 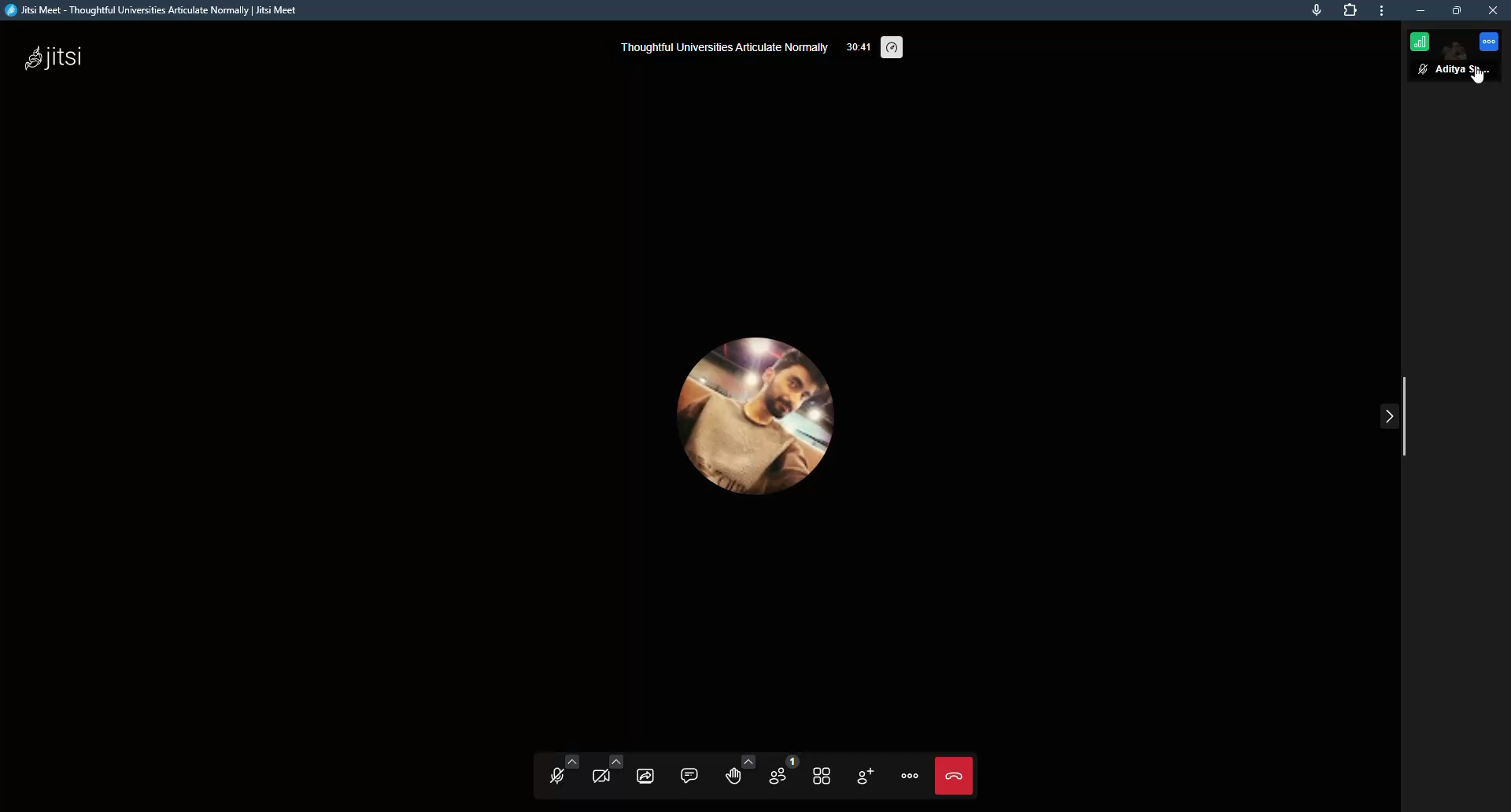 What do you see at coordinates (722, 48) in the screenshot?
I see `thoughtful universities articulate normally` at bounding box center [722, 48].